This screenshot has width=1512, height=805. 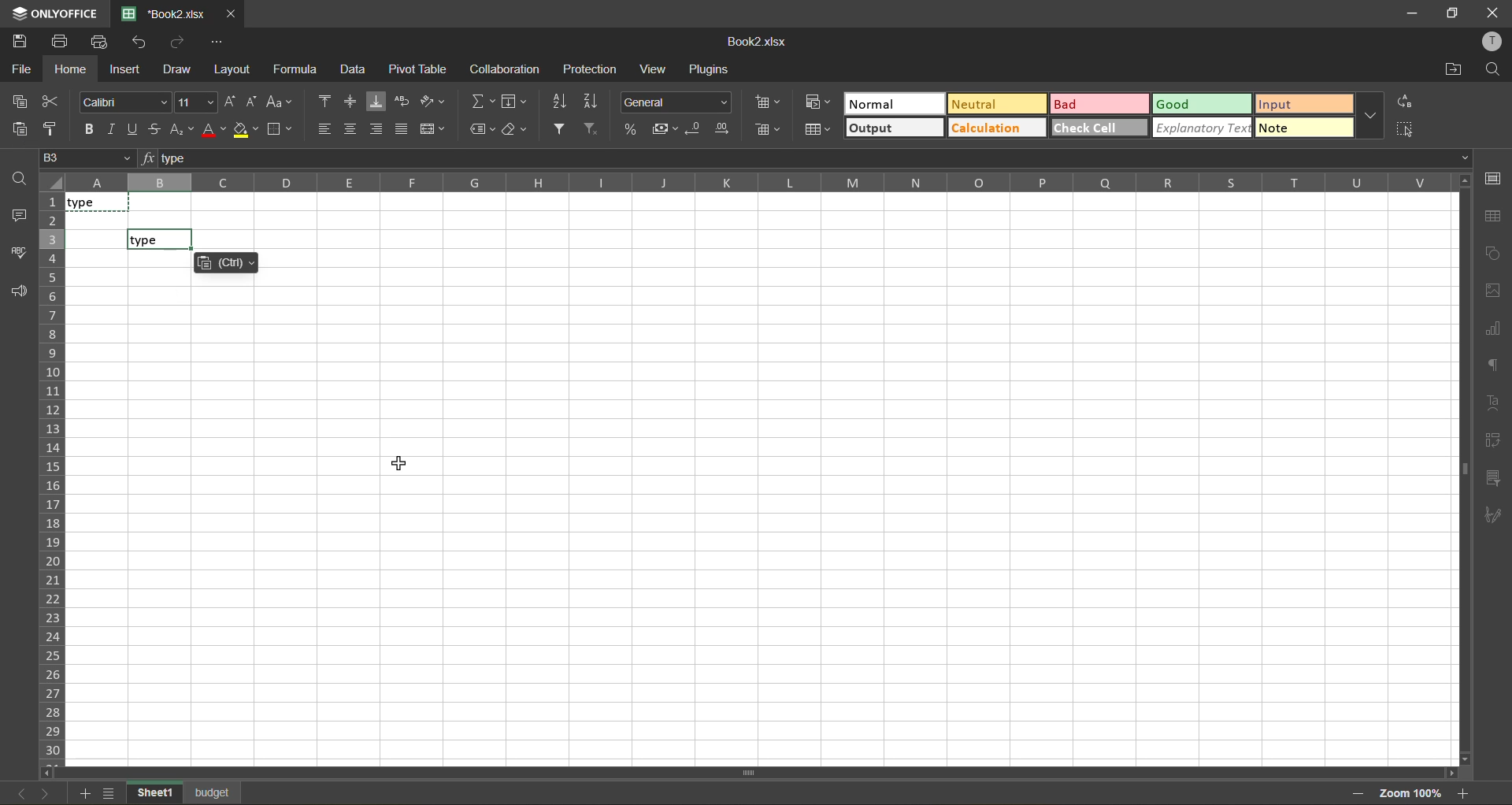 I want to click on cut, so click(x=53, y=100).